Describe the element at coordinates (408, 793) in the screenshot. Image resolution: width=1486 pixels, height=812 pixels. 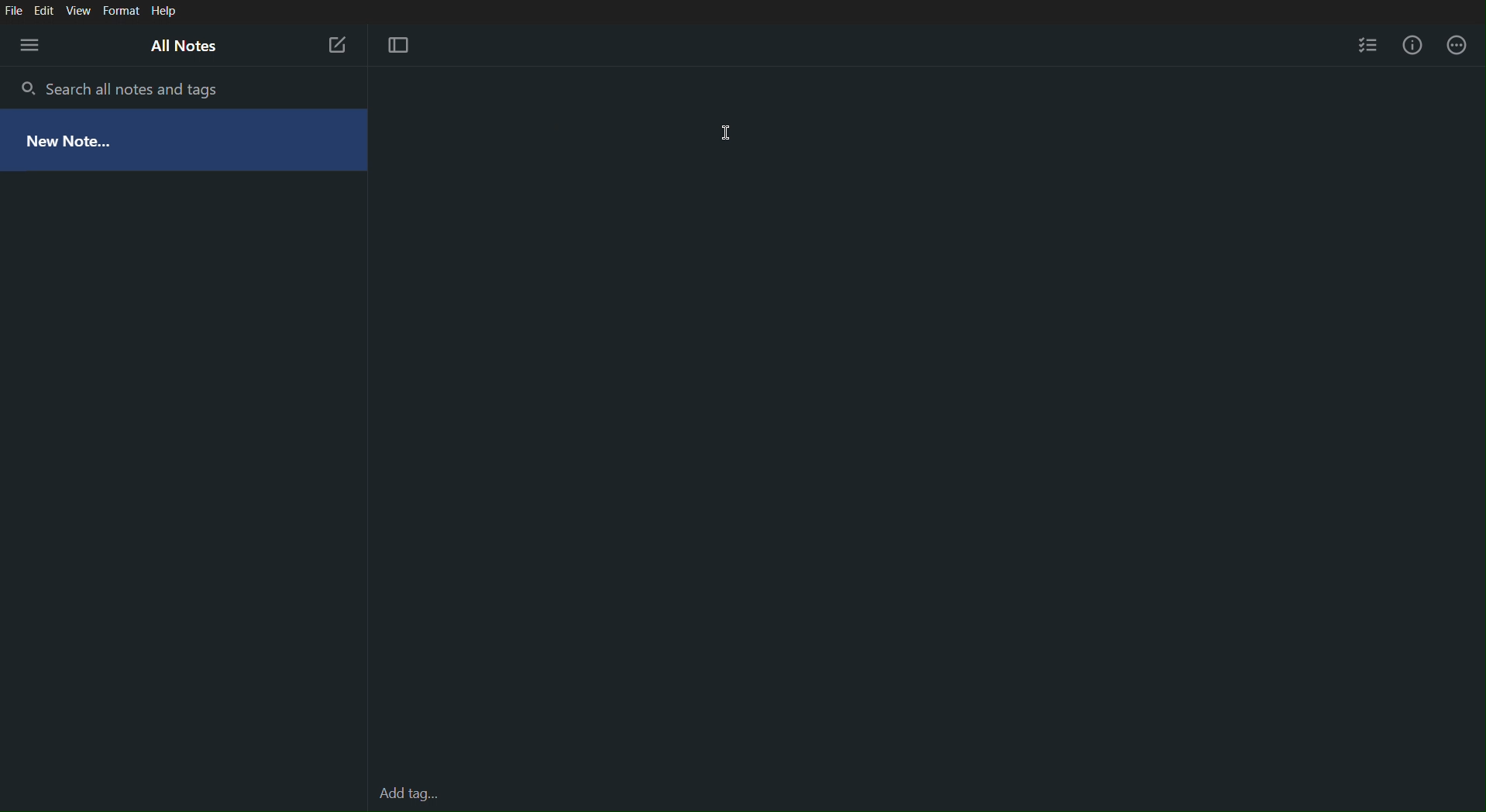
I see `Add tag` at that location.